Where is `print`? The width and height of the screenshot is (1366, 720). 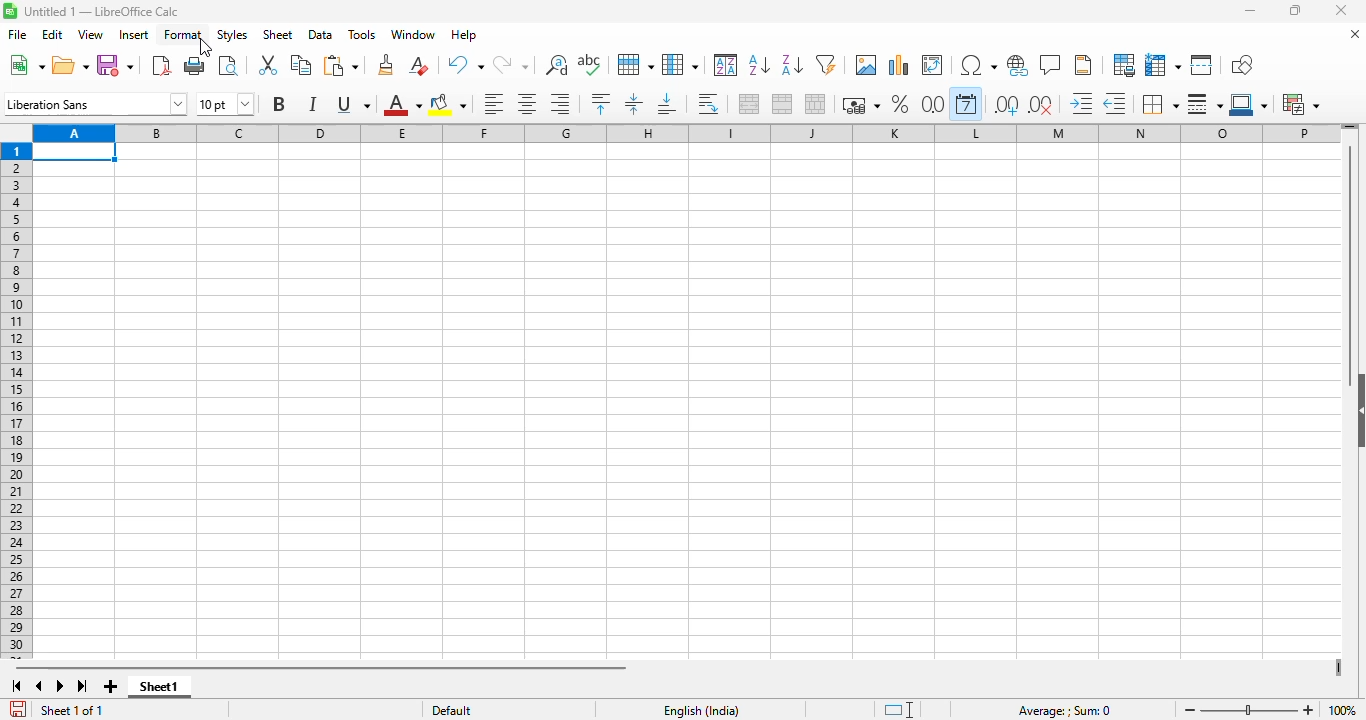 print is located at coordinates (196, 66).